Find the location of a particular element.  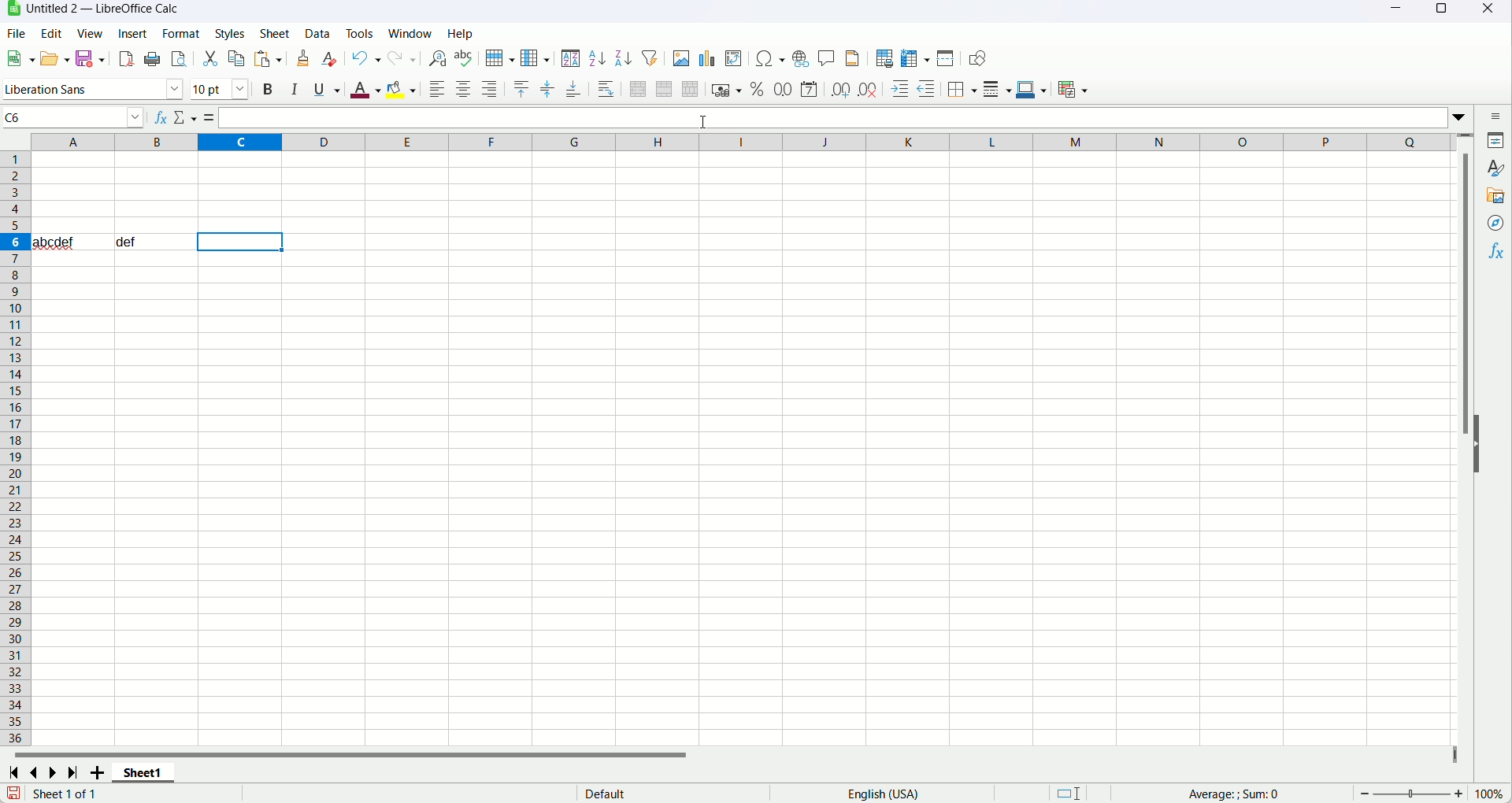

english (USA) is located at coordinates (882, 794).